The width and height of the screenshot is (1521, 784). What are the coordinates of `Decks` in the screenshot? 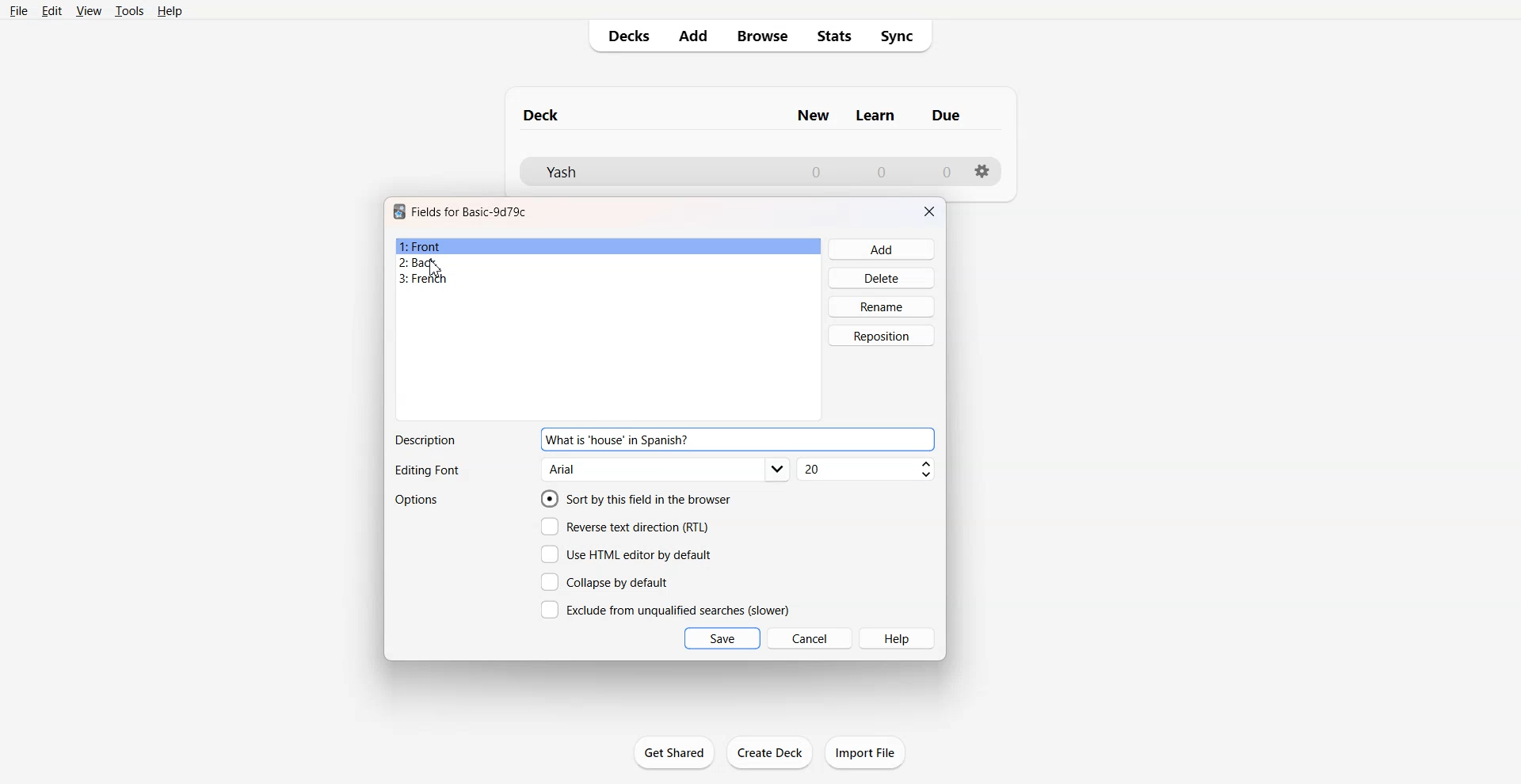 It's located at (623, 36).